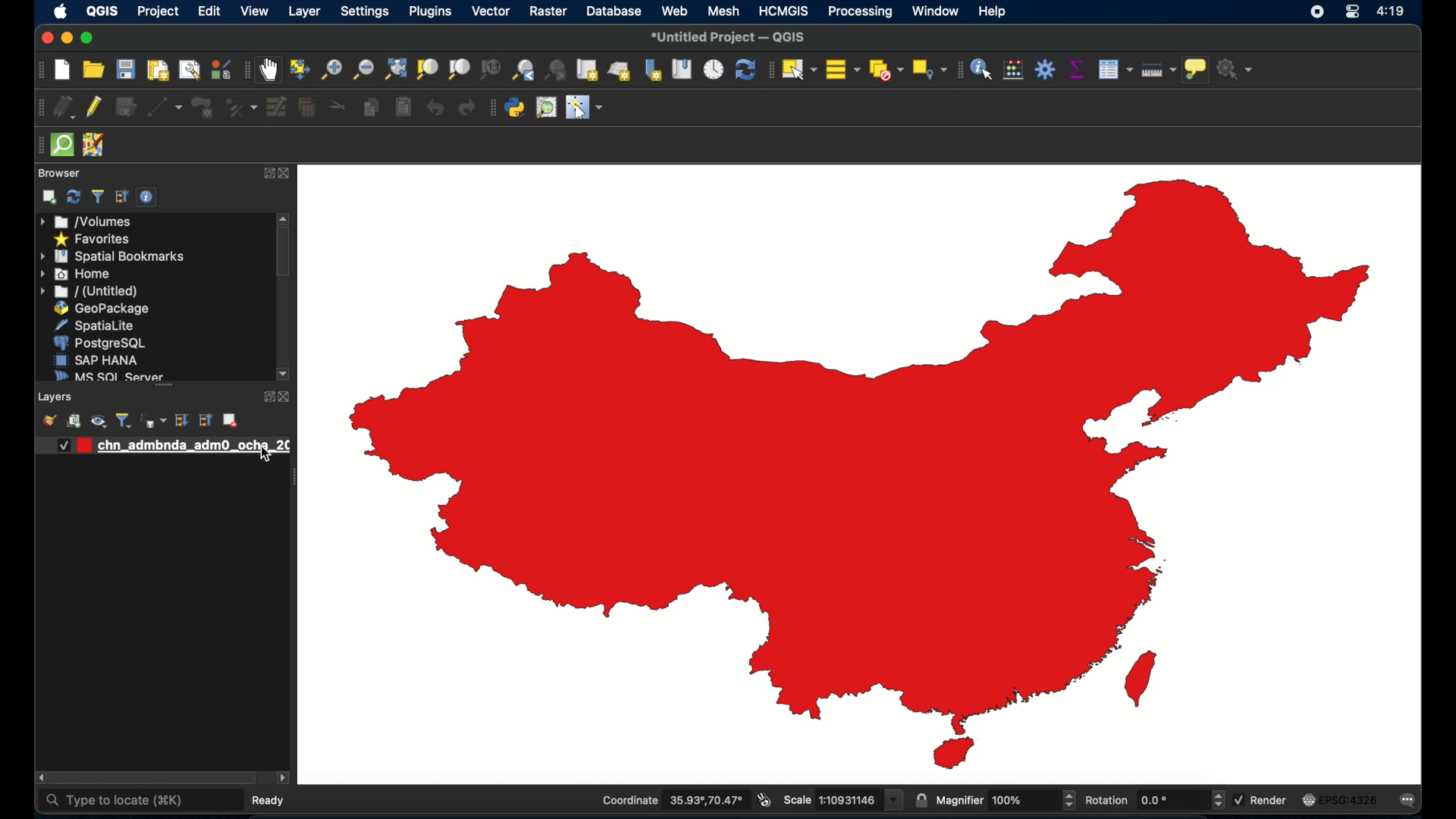  Describe the element at coordinates (306, 107) in the screenshot. I see `delete selected` at that location.